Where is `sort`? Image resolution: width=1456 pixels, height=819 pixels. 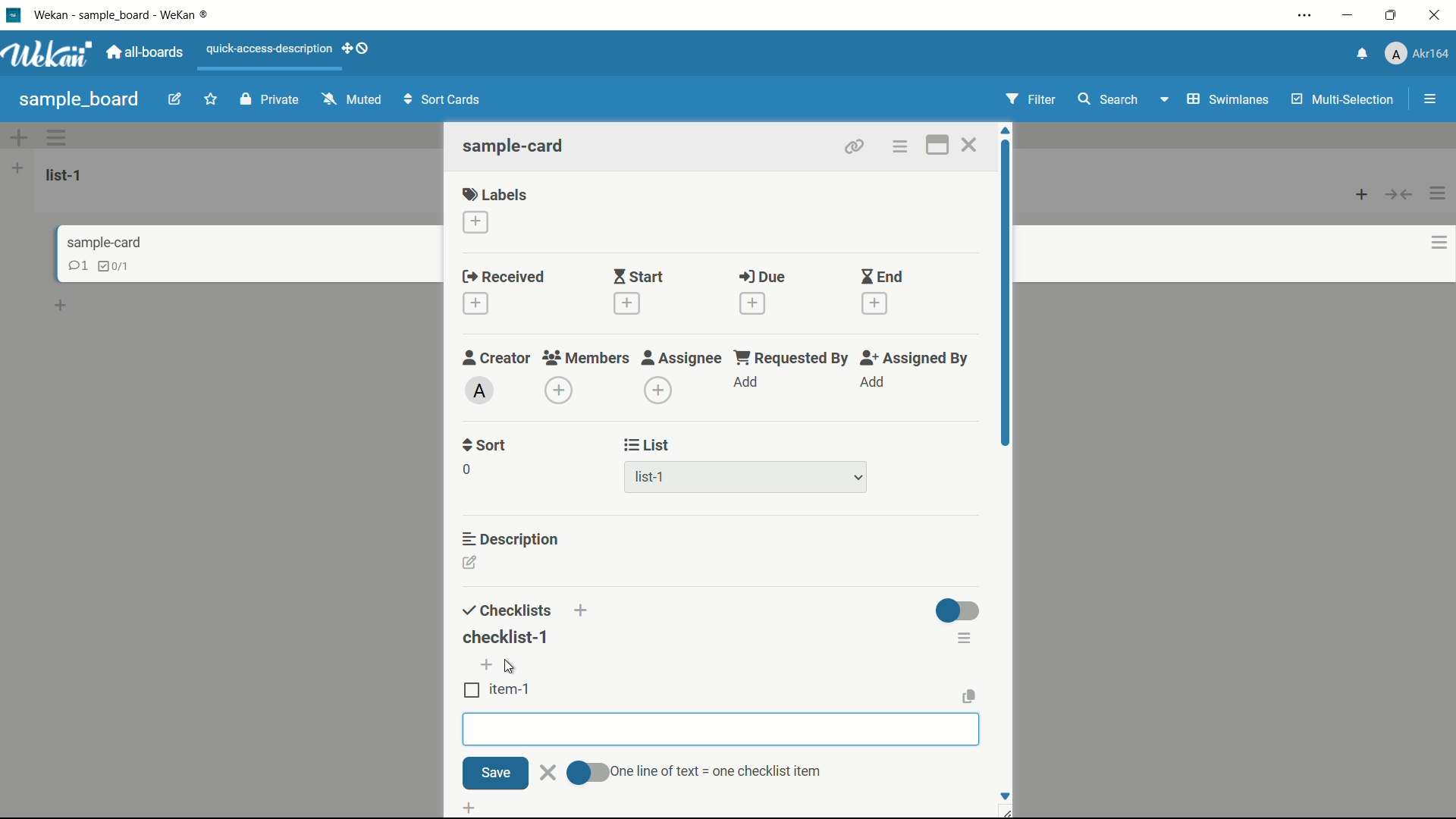
sort is located at coordinates (485, 447).